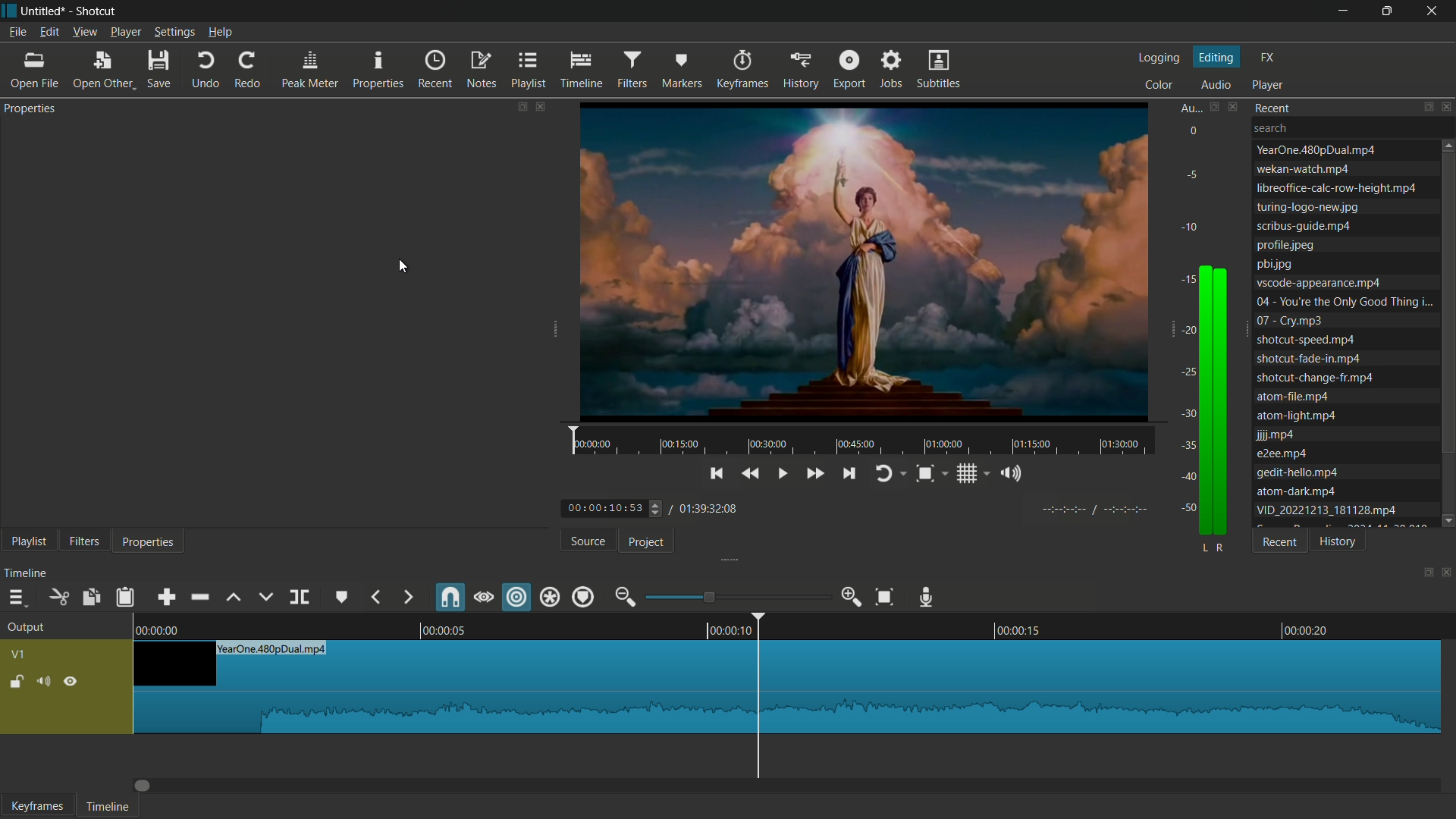  I want to click on file menu, so click(17, 32).